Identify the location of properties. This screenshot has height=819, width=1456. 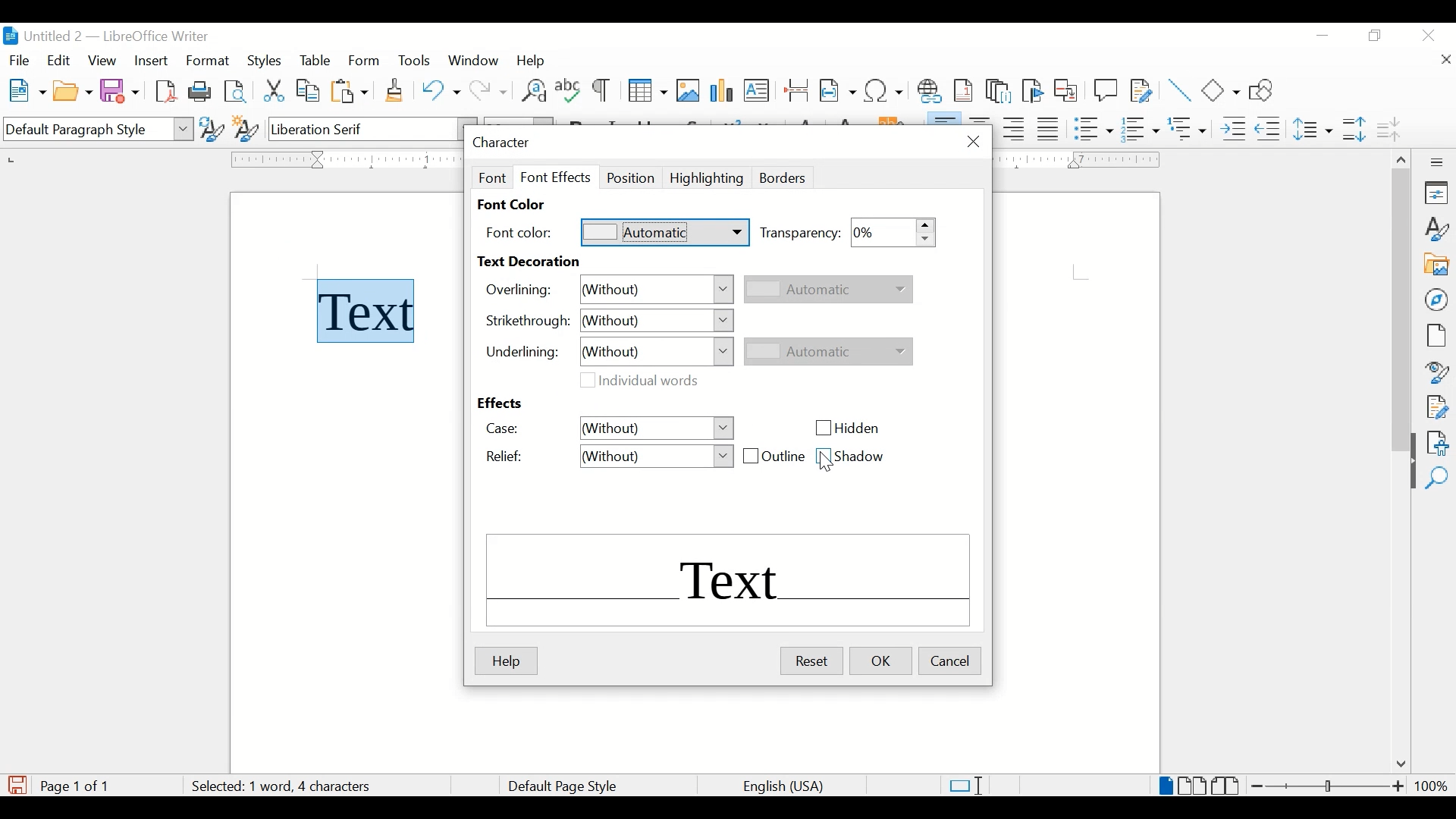
(1438, 193).